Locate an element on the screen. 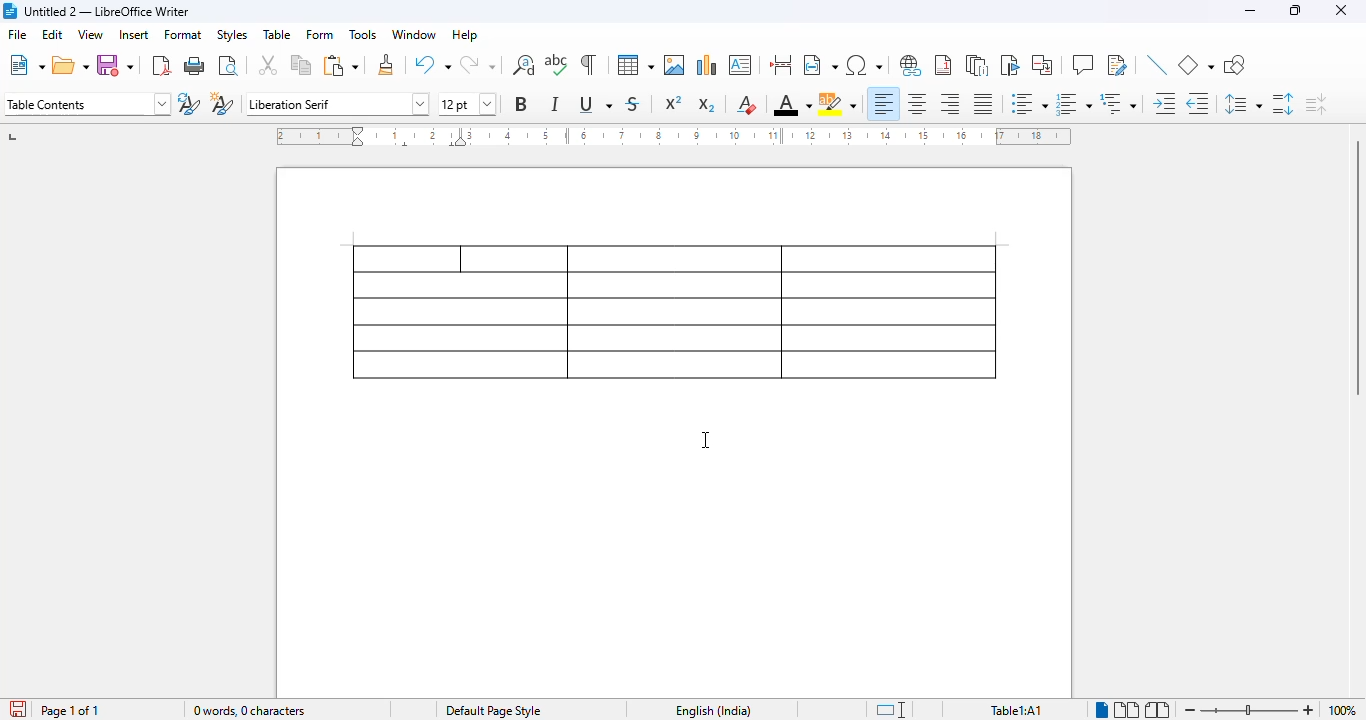 The height and width of the screenshot is (720, 1366). insert line is located at coordinates (1159, 65).